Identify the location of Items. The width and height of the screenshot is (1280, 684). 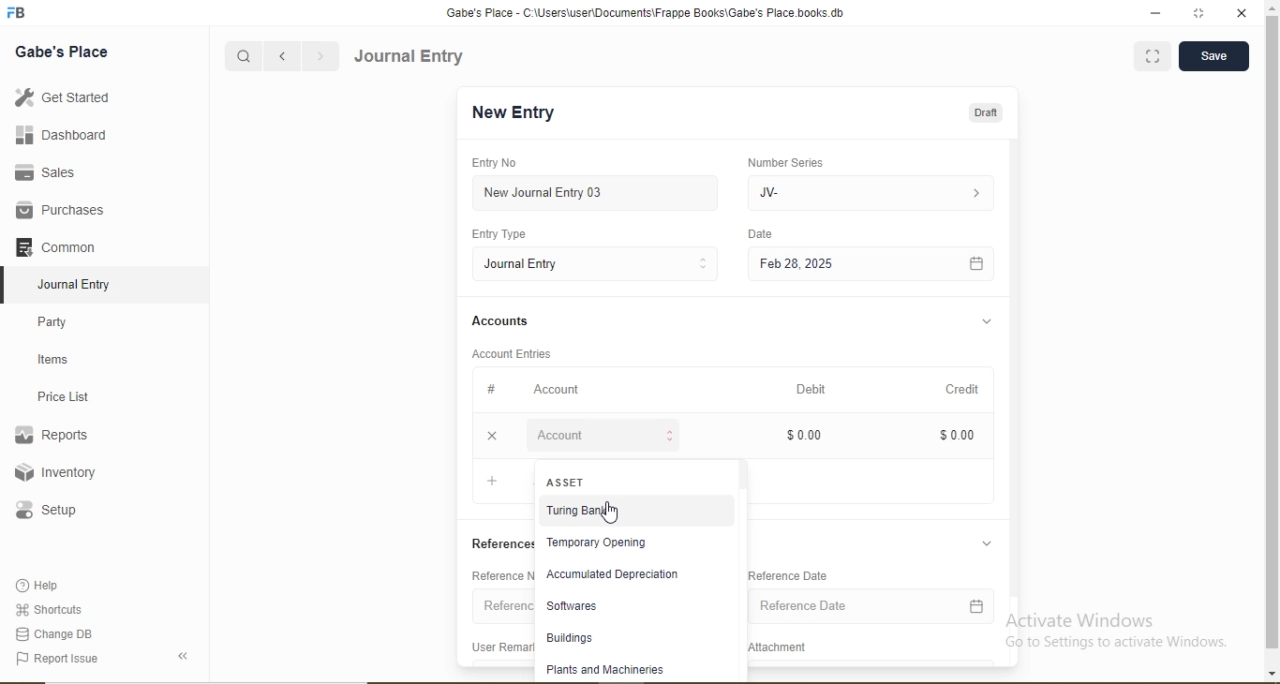
(53, 359).